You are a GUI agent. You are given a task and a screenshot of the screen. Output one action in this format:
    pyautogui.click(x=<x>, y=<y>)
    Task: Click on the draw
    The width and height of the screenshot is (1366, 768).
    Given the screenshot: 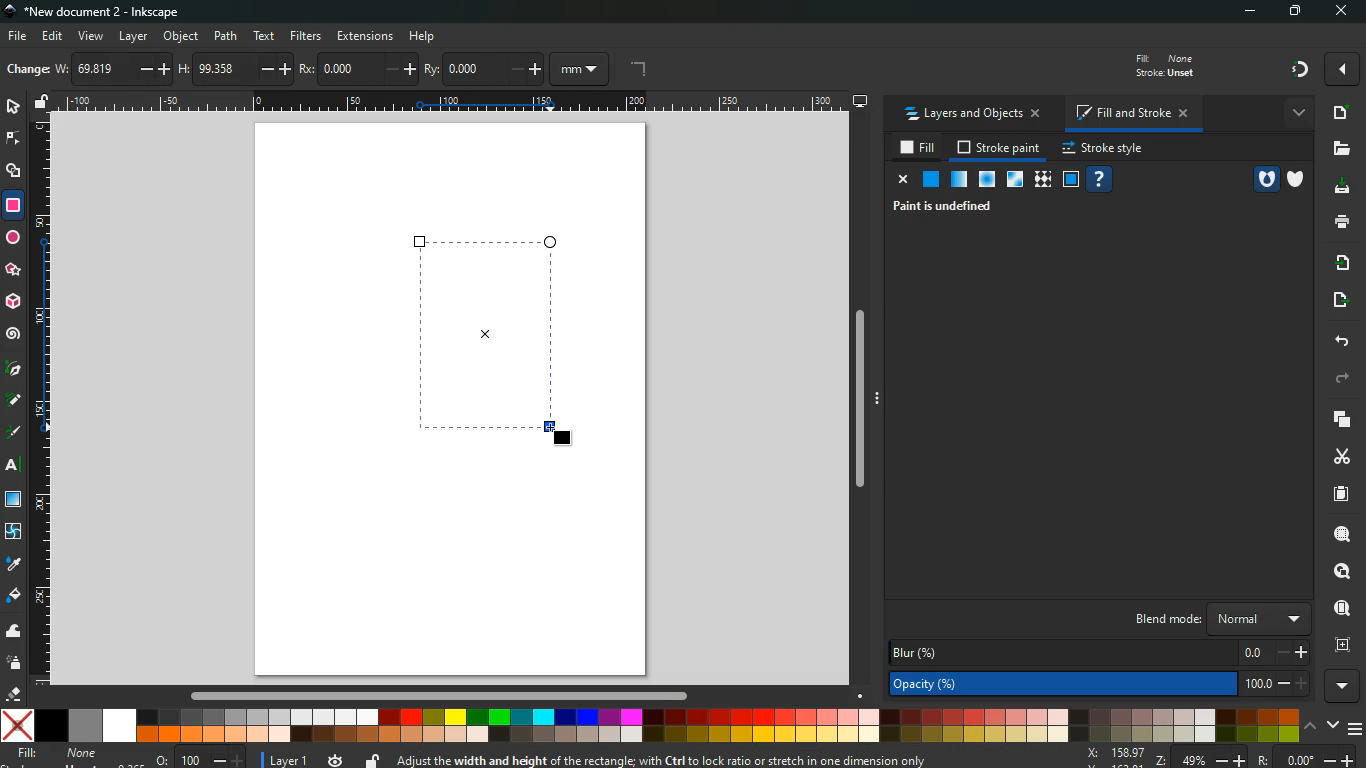 What is the action you would take?
    pyautogui.click(x=14, y=433)
    